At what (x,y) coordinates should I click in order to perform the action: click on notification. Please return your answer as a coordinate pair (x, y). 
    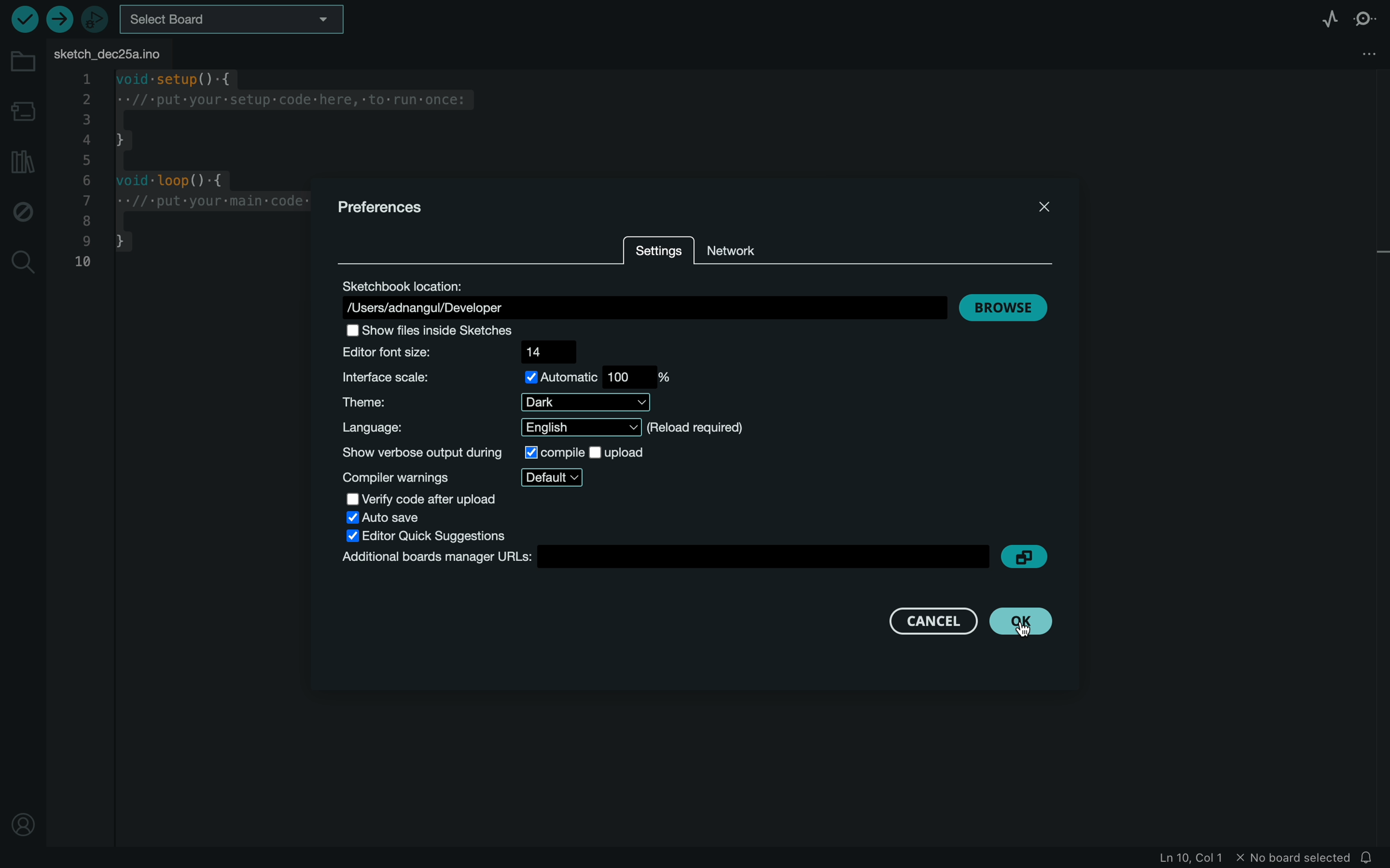
    Looking at the image, I should click on (1371, 857).